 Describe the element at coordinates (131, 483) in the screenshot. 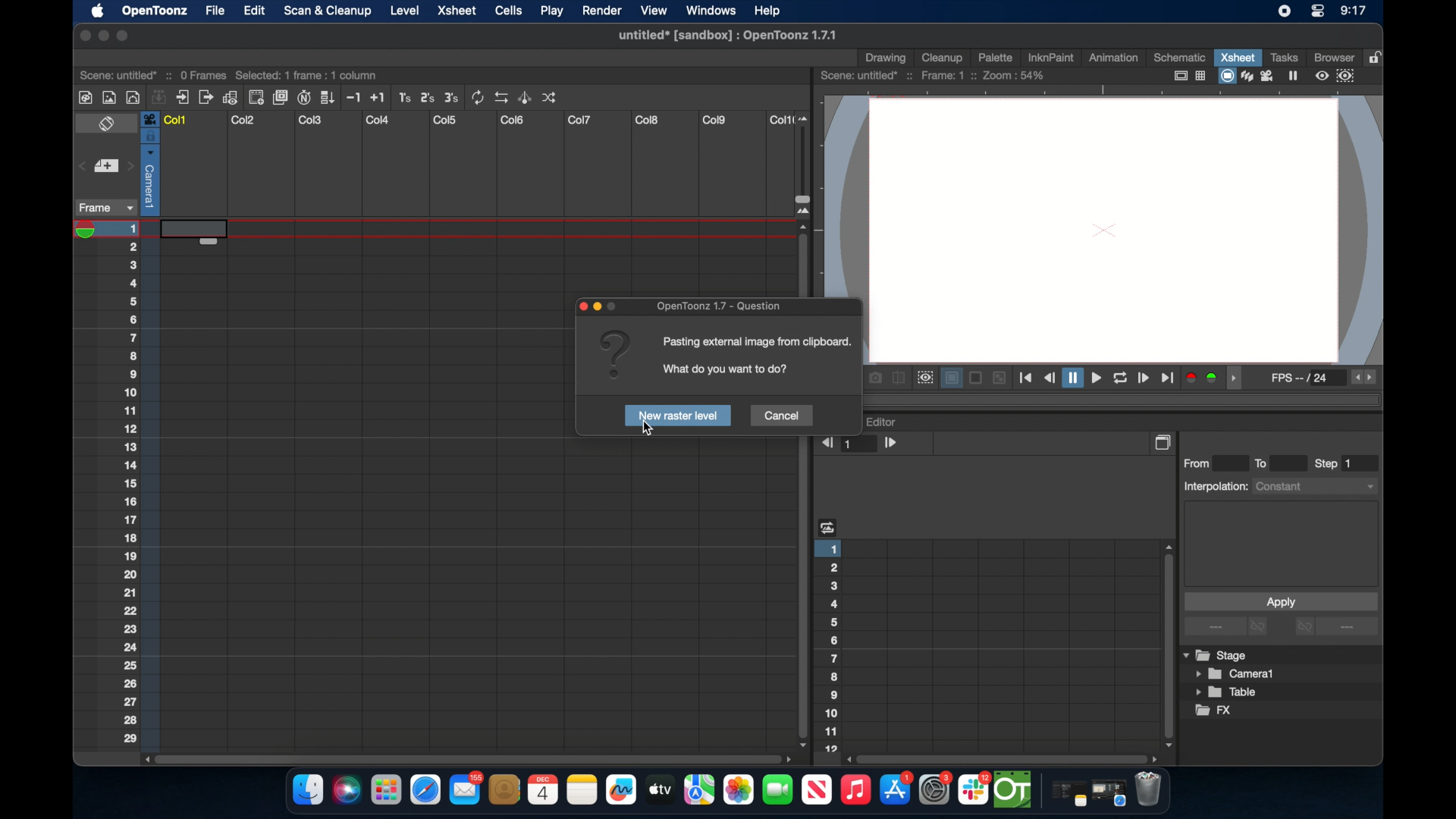

I see `numbering` at that location.